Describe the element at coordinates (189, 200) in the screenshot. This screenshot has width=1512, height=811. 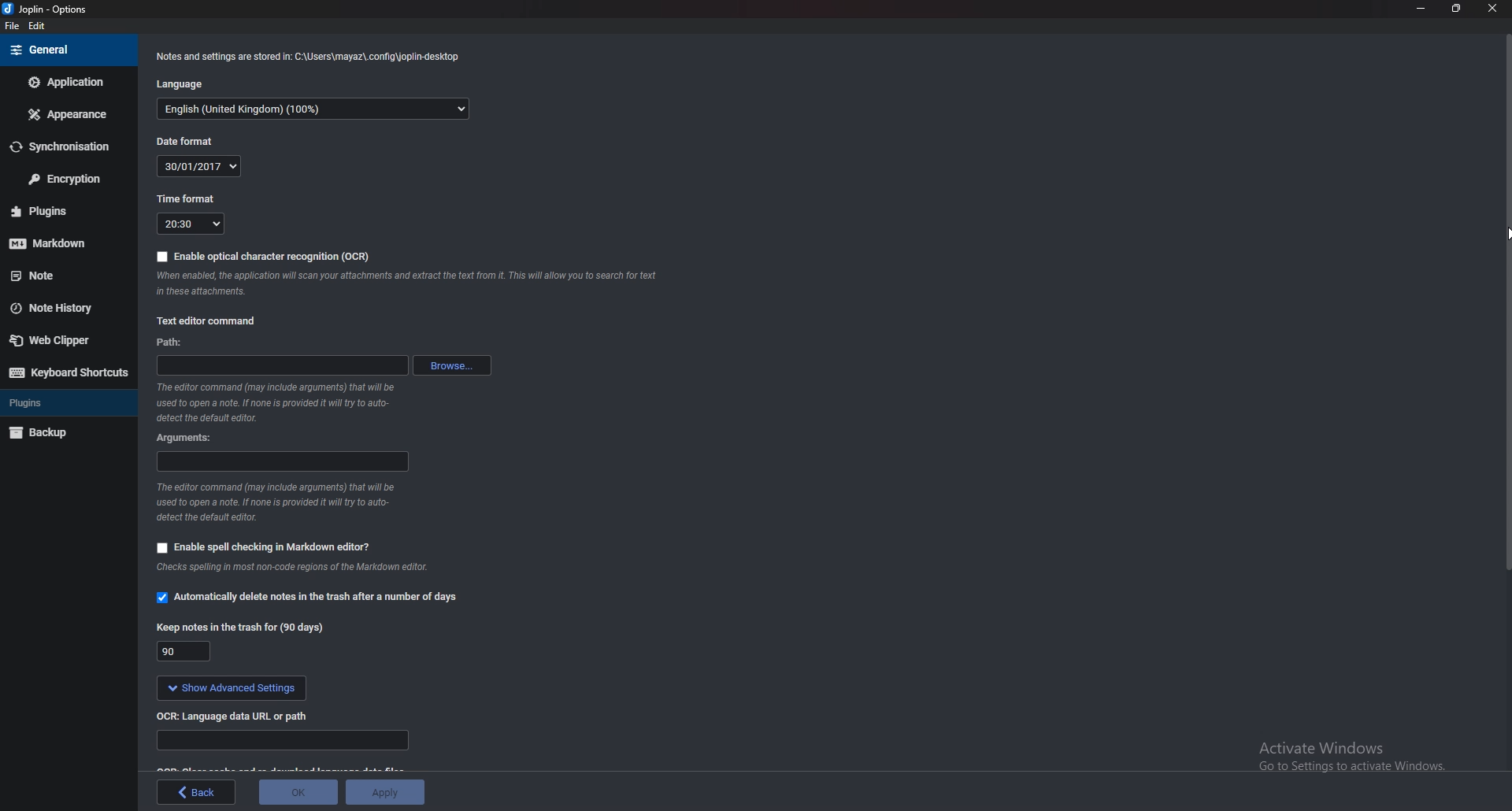
I see `Time format` at that location.